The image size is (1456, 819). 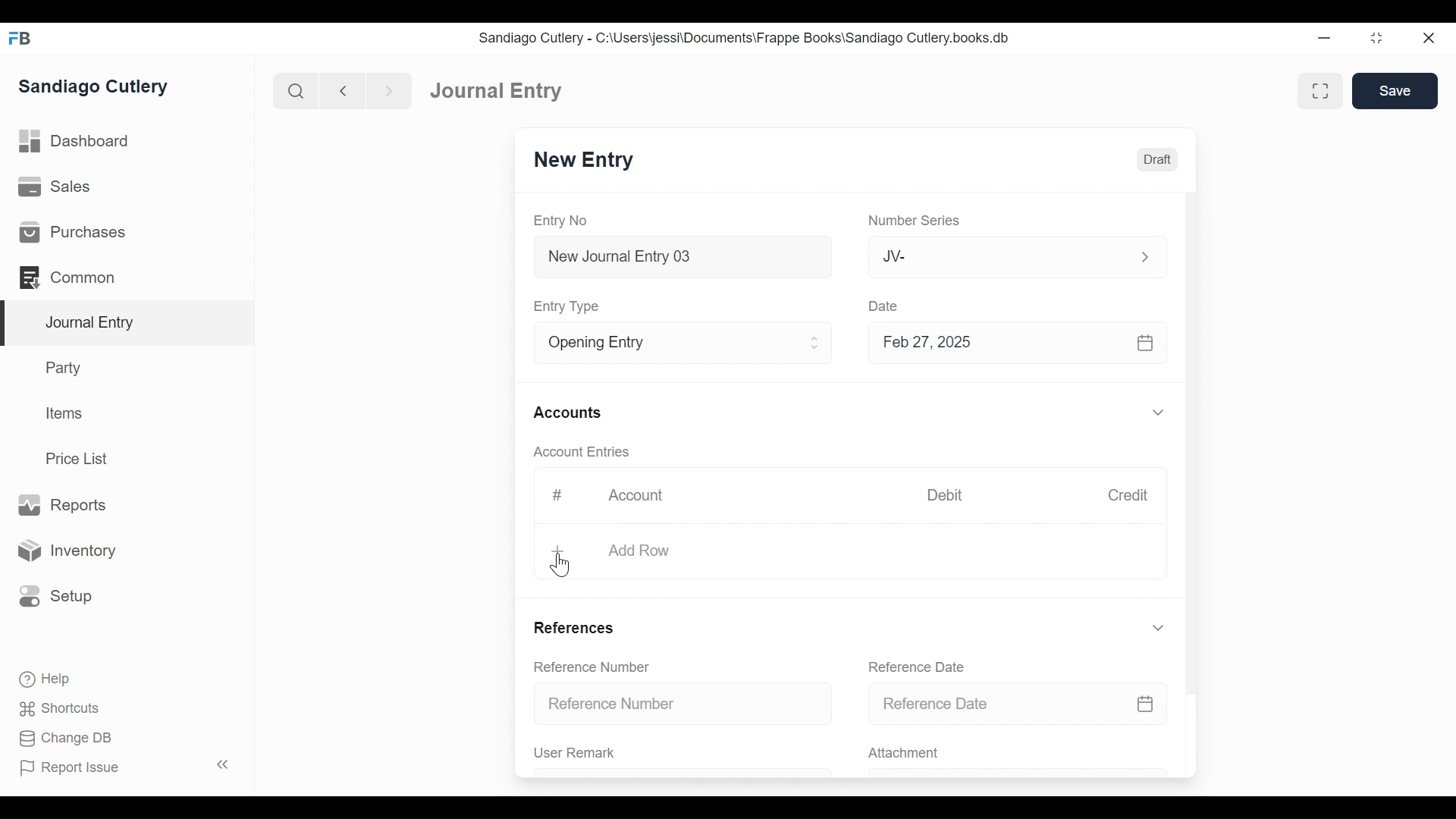 I want to click on Attachment, so click(x=903, y=755).